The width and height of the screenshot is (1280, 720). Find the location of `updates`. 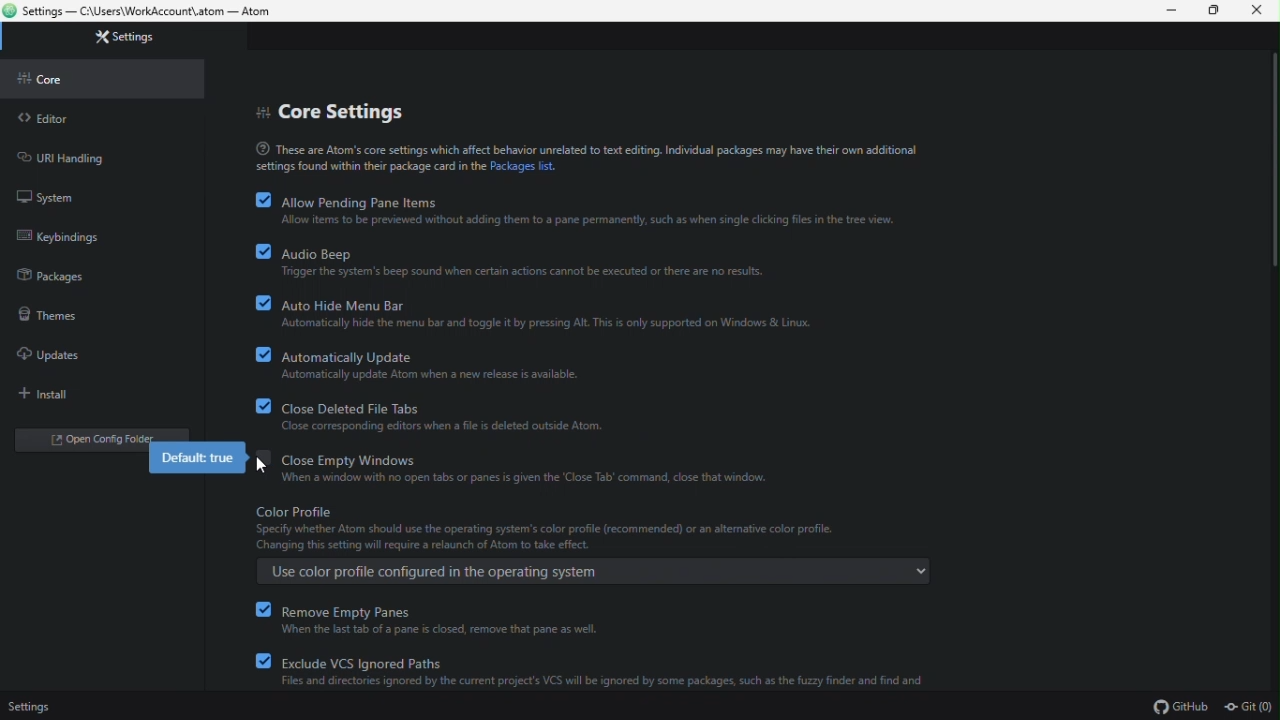

updates is located at coordinates (57, 354).